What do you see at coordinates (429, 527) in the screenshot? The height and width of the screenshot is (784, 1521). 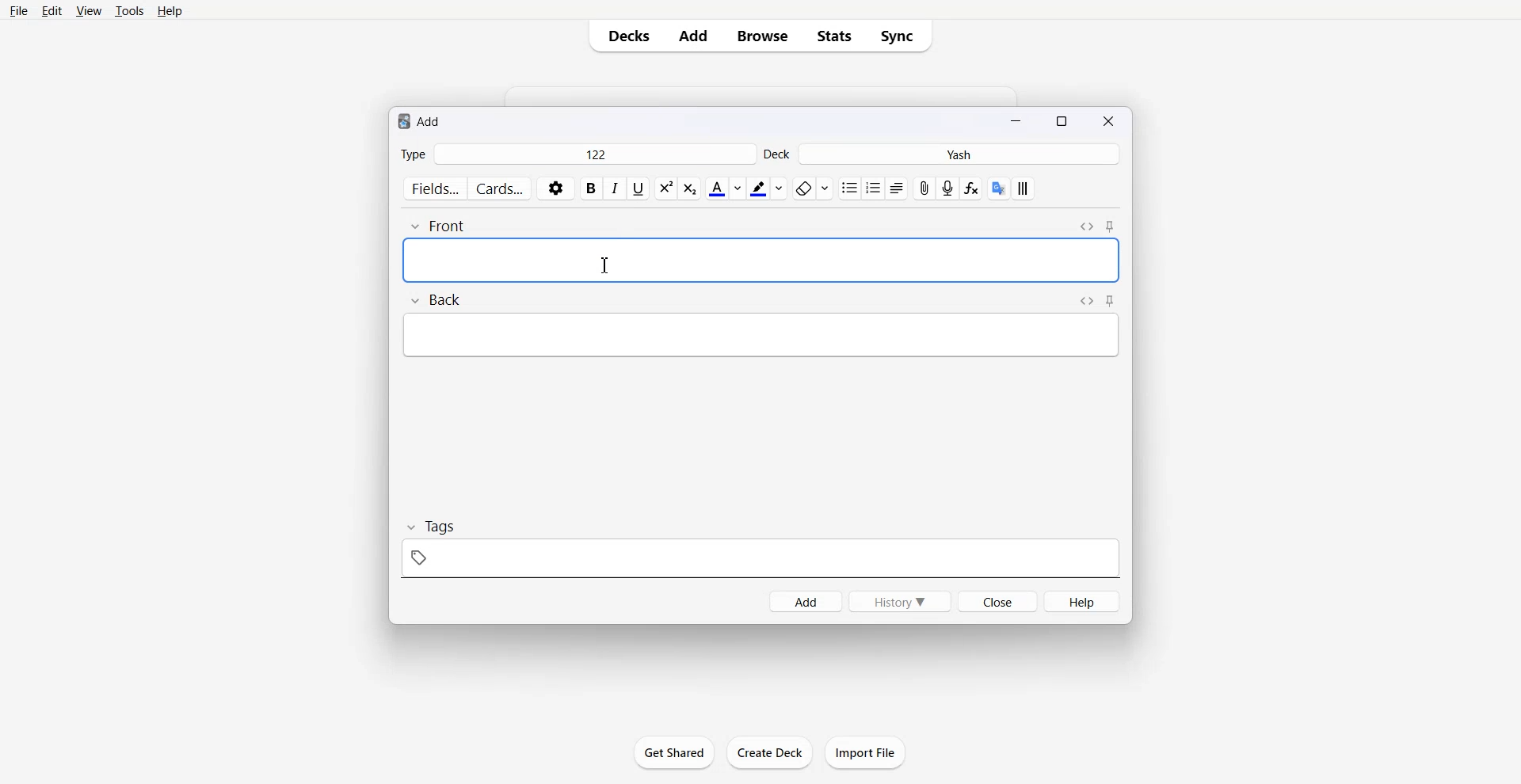 I see `Tags` at bounding box center [429, 527].